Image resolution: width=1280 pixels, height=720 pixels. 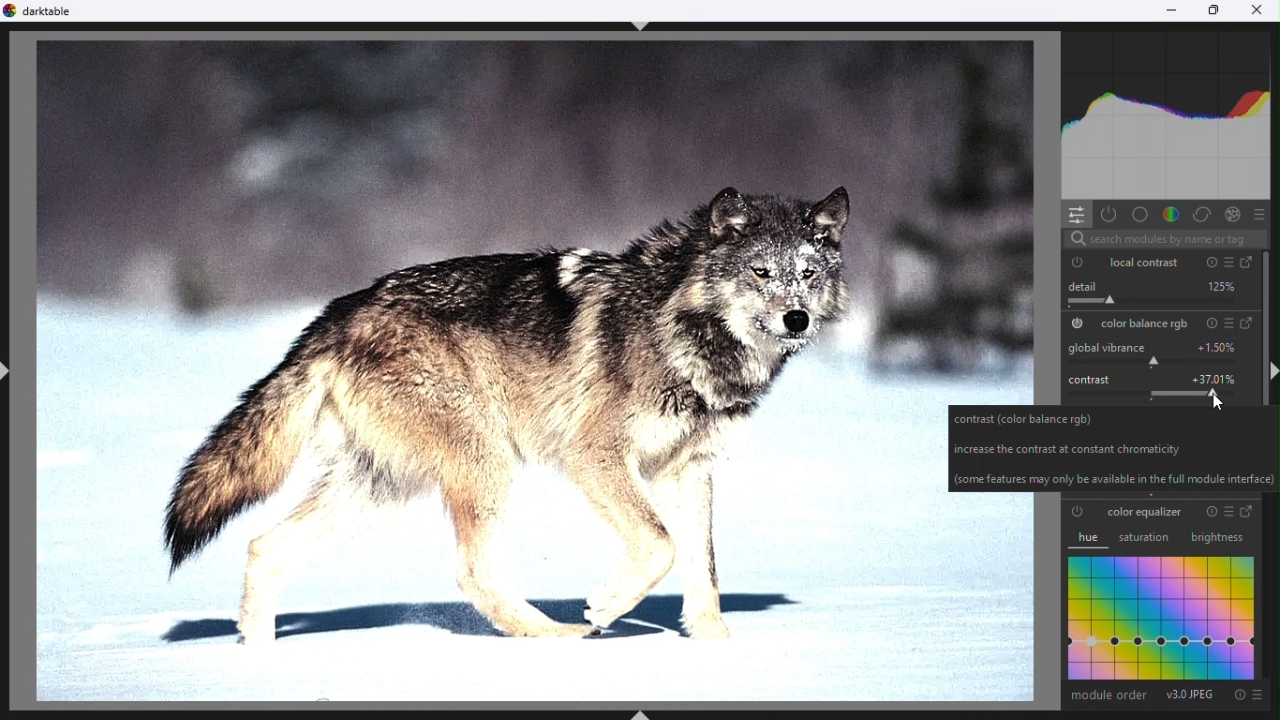 What do you see at coordinates (1227, 261) in the screenshot?
I see `presets` at bounding box center [1227, 261].